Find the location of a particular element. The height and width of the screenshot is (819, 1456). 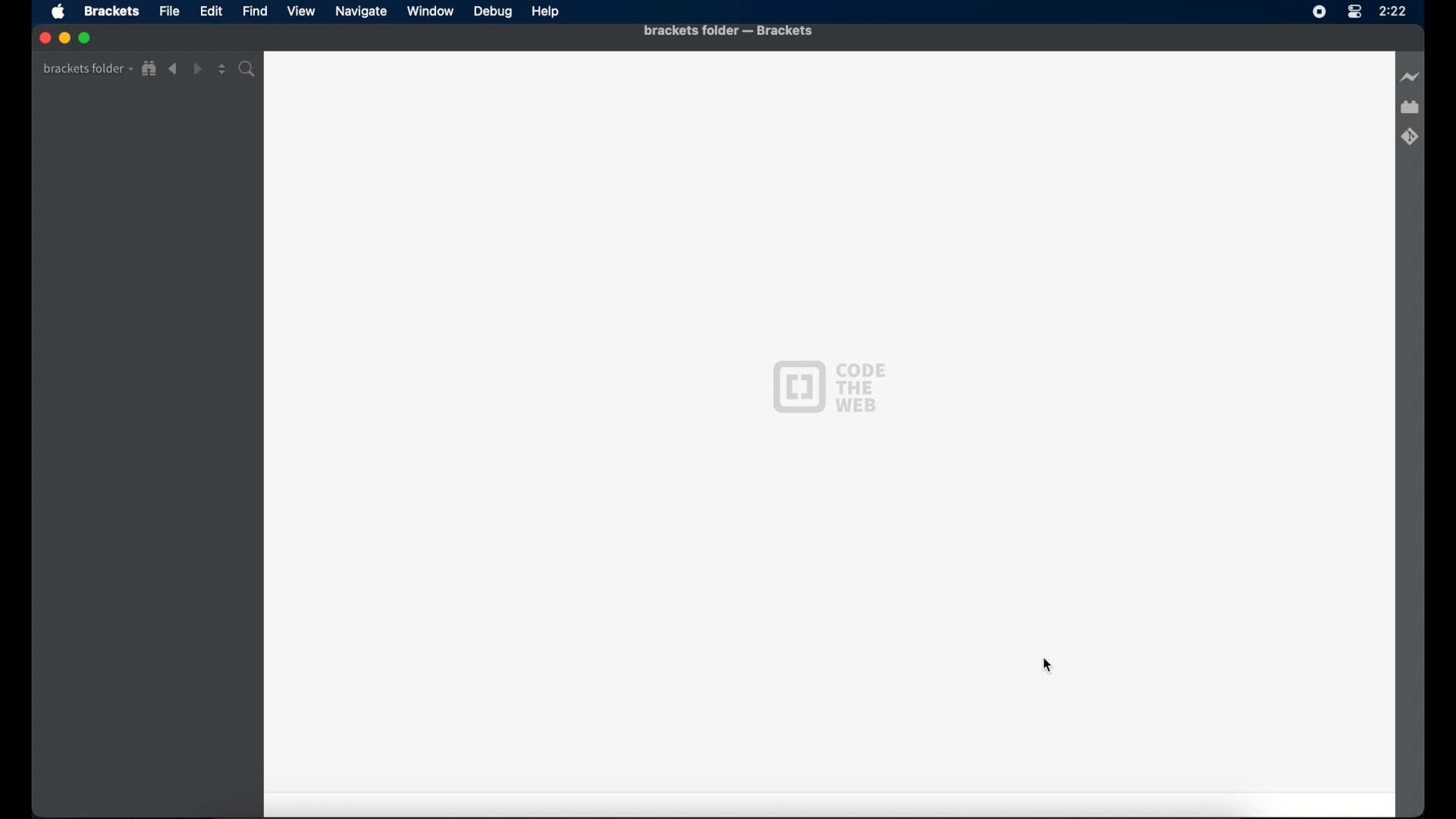

brackets folder - brackets is located at coordinates (728, 30).